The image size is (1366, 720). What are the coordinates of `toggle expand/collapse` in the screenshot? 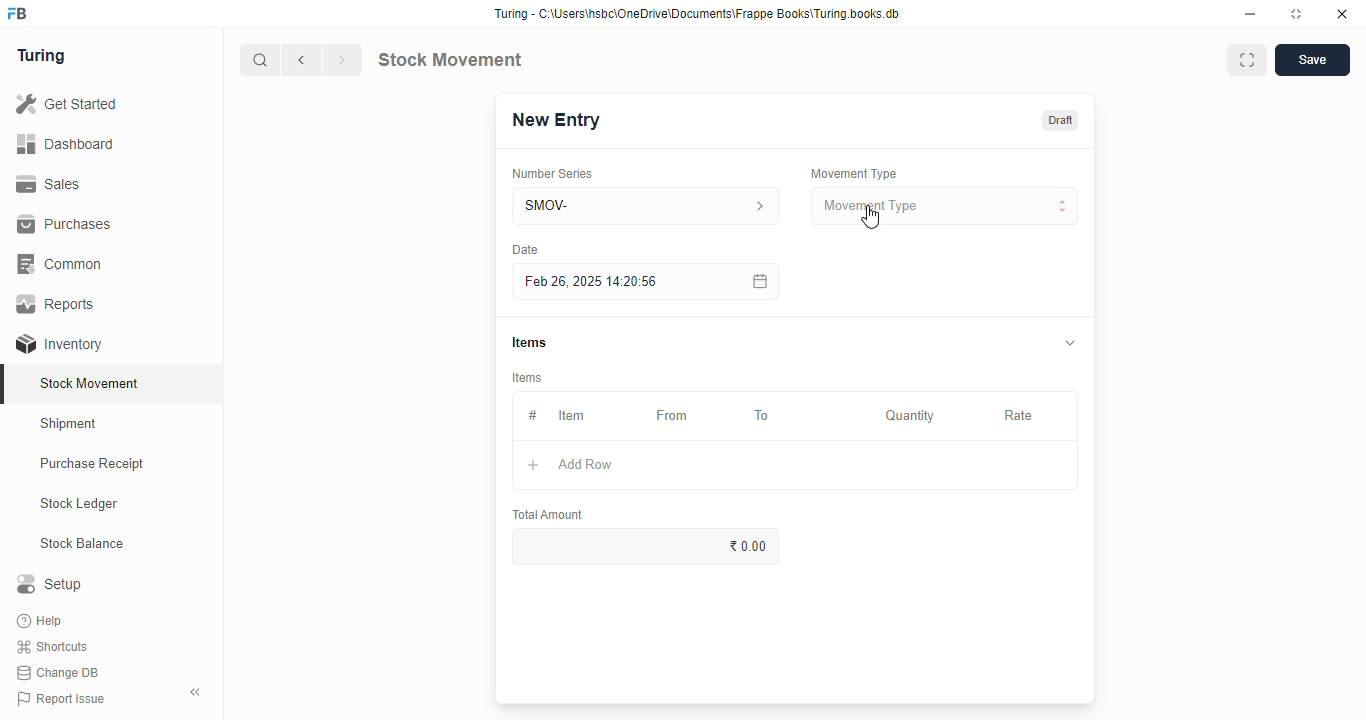 It's located at (1071, 342).